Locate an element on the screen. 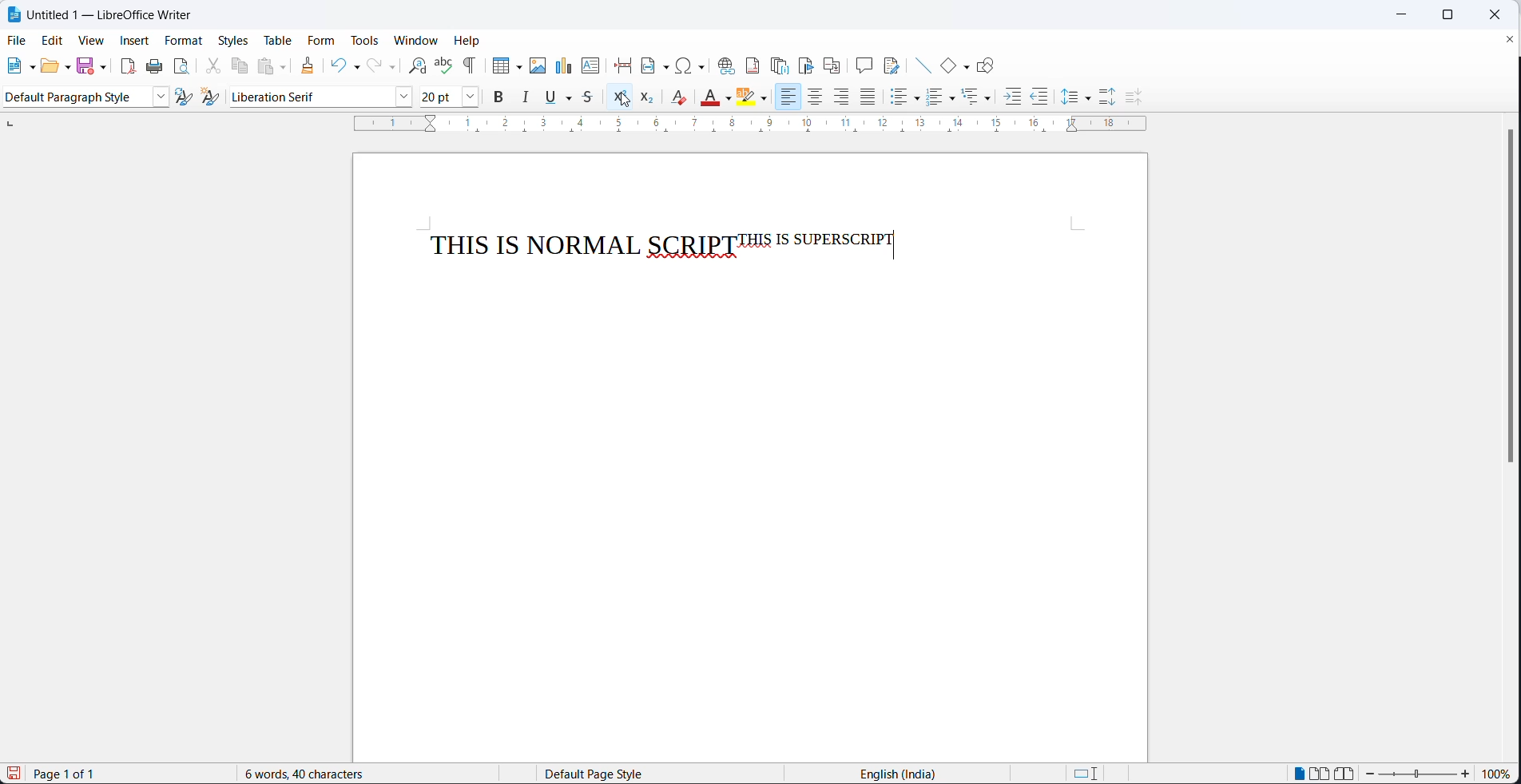 The height and width of the screenshot is (784, 1521). basic shapes is located at coordinates (942, 63).